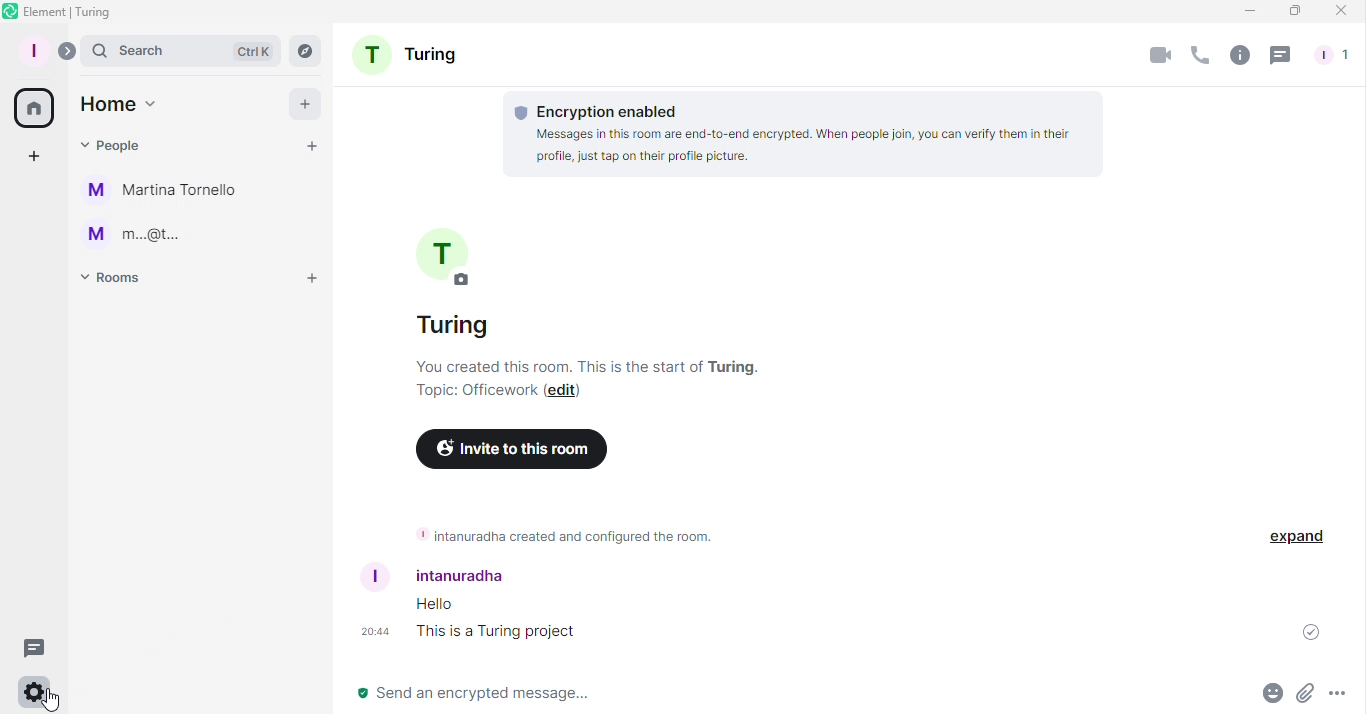  I want to click on Expand, so click(70, 51).